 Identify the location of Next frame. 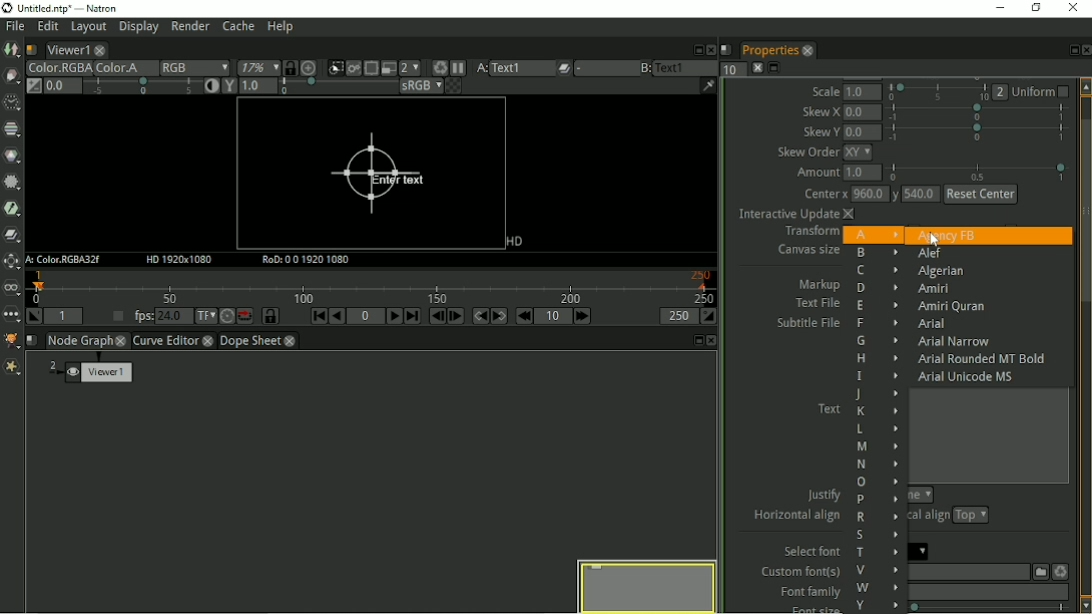
(455, 316).